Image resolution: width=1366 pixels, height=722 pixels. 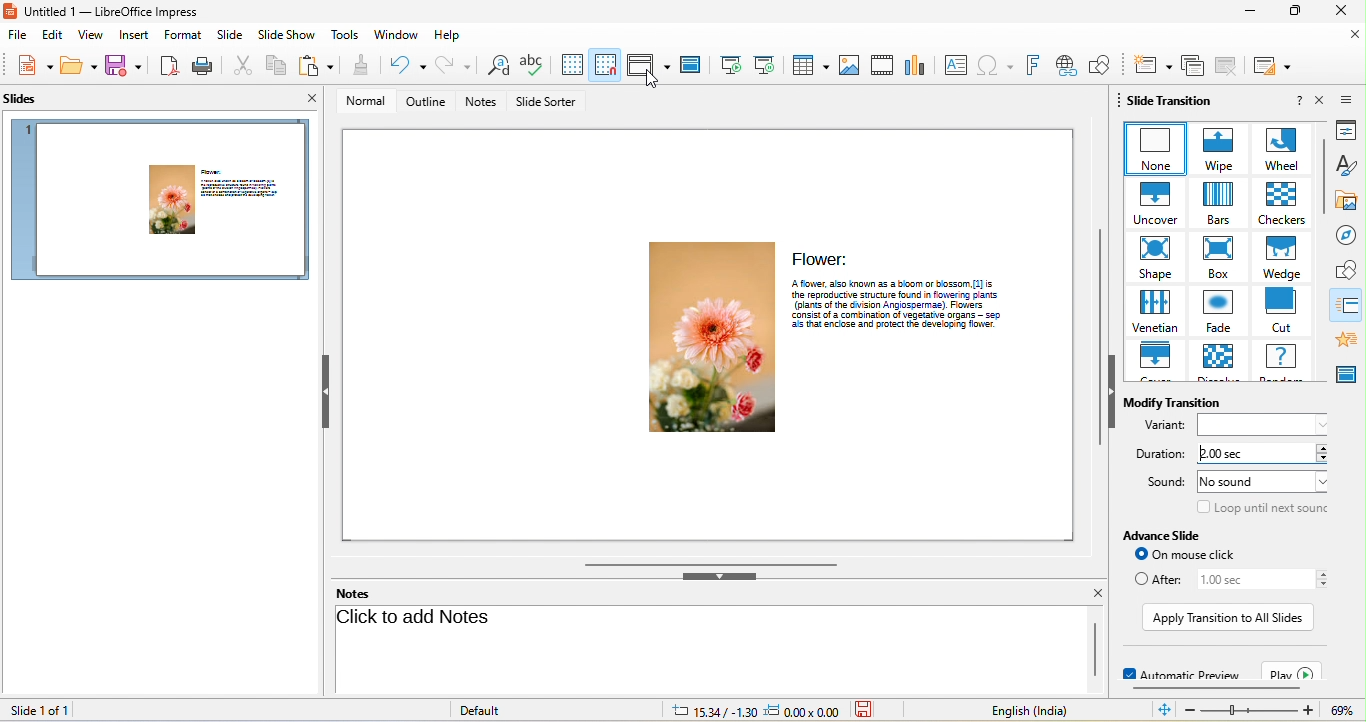 What do you see at coordinates (230, 36) in the screenshot?
I see `slide` at bounding box center [230, 36].